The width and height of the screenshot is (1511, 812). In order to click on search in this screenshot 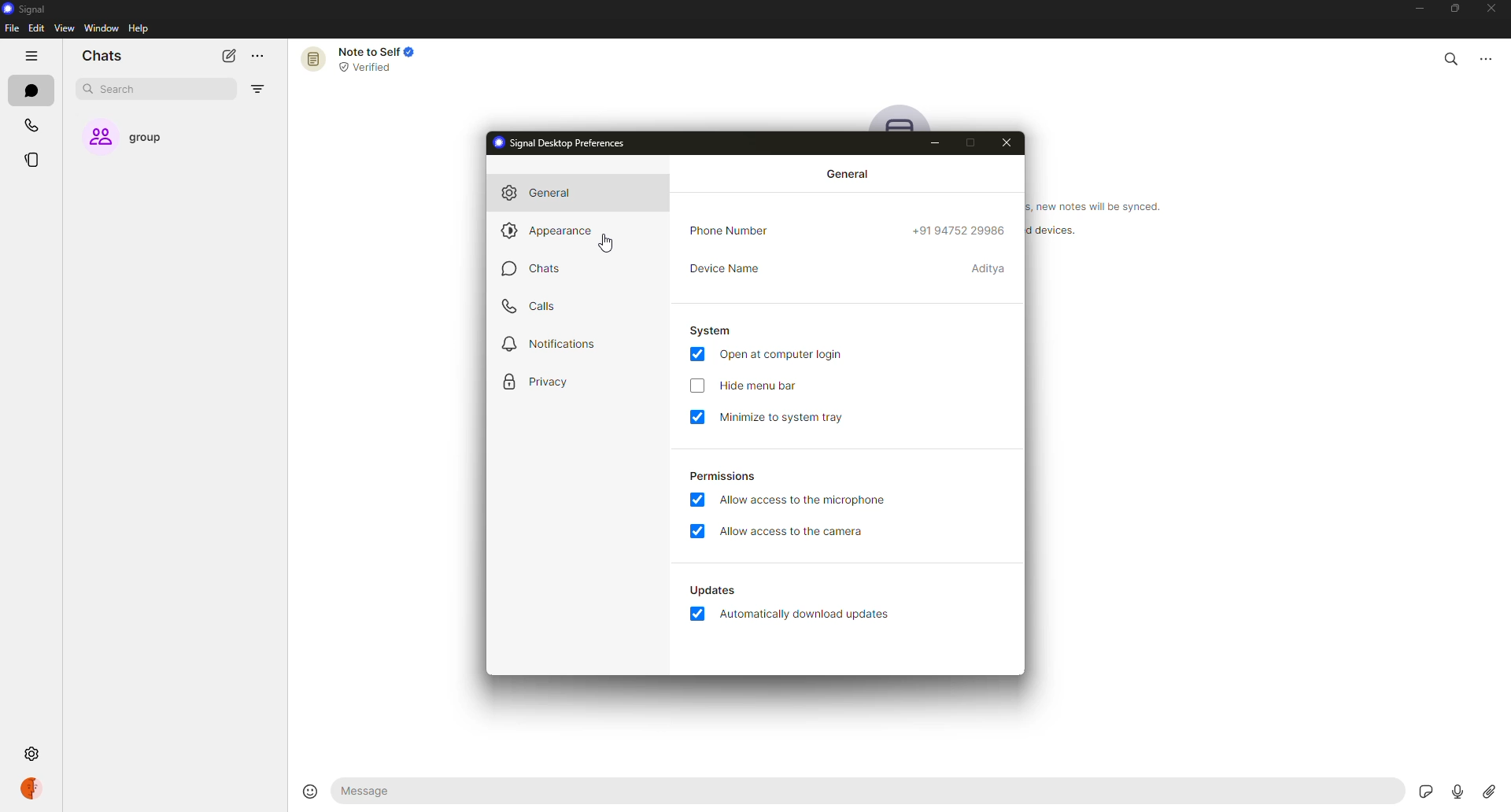, I will do `click(1451, 56)`.